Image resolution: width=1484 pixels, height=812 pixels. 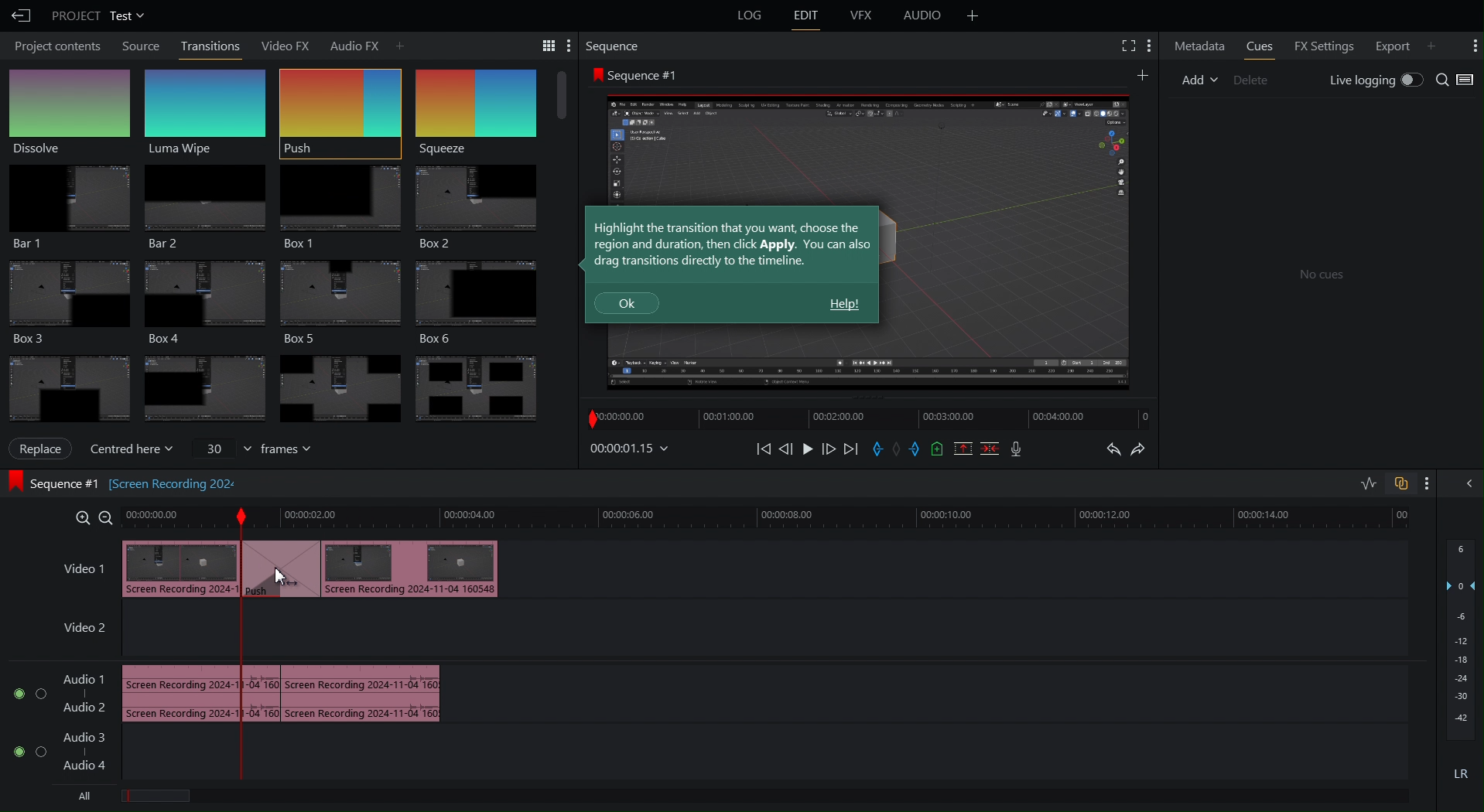 What do you see at coordinates (89, 798) in the screenshot?
I see `All` at bounding box center [89, 798].